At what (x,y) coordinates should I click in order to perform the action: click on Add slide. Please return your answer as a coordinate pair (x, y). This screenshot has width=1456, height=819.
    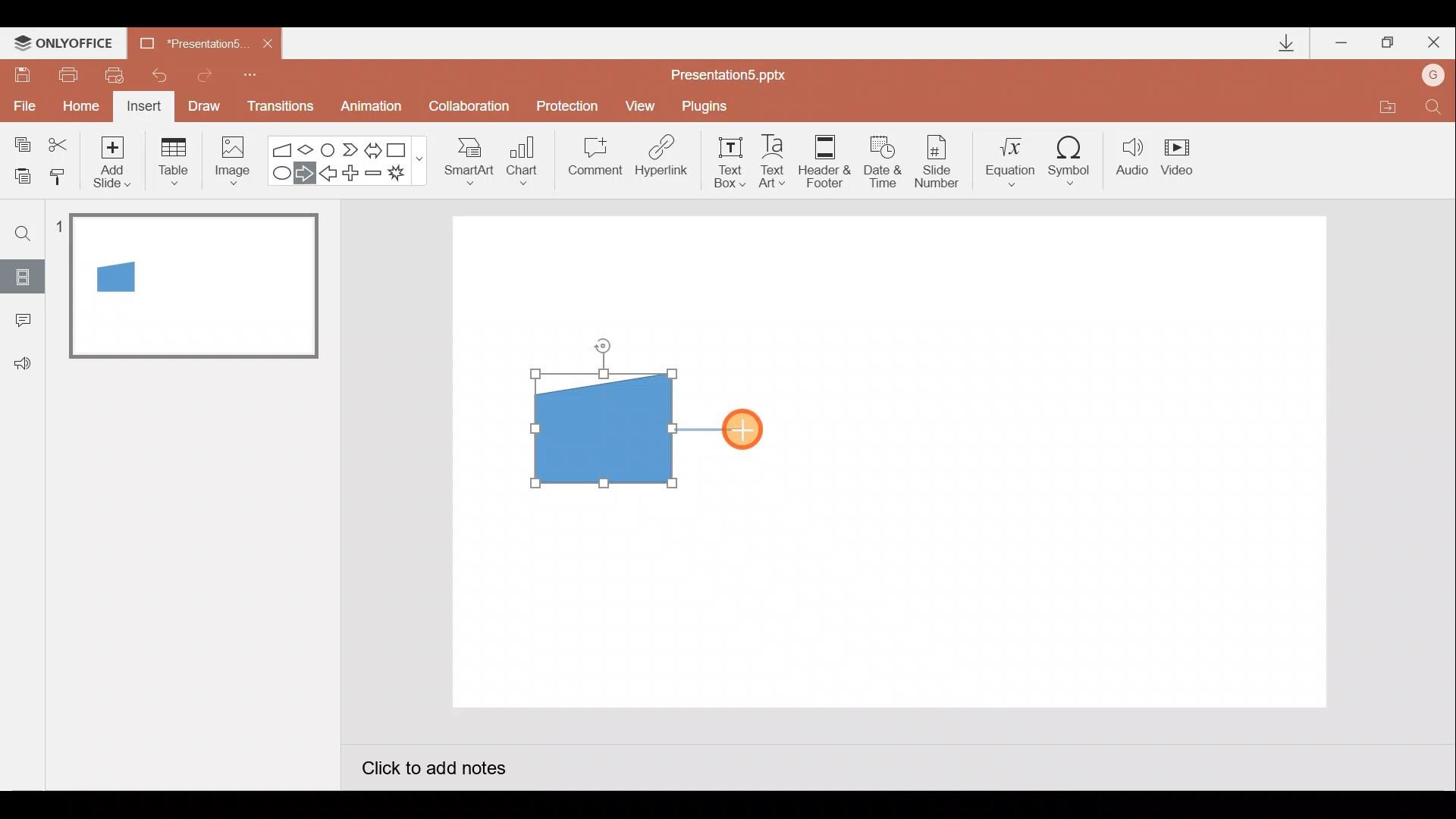
    Looking at the image, I should click on (115, 158).